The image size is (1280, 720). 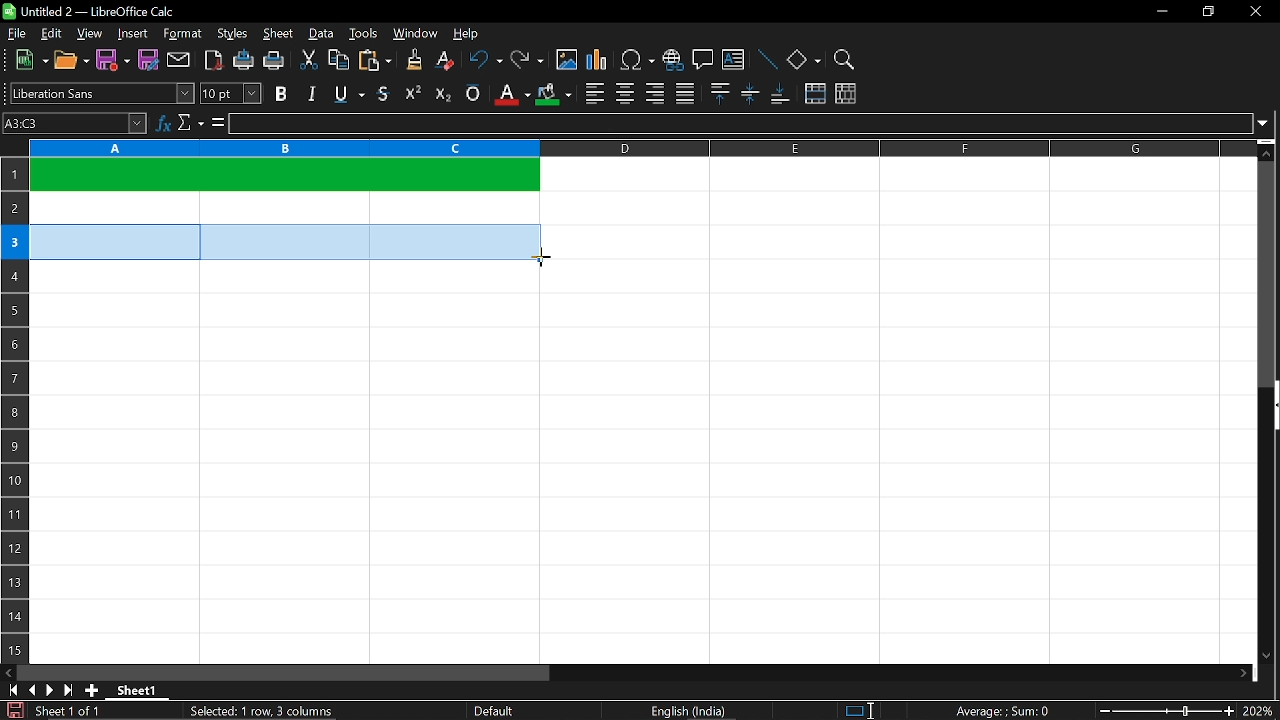 What do you see at coordinates (767, 59) in the screenshot?
I see `line` at bounding box center [767, 59].